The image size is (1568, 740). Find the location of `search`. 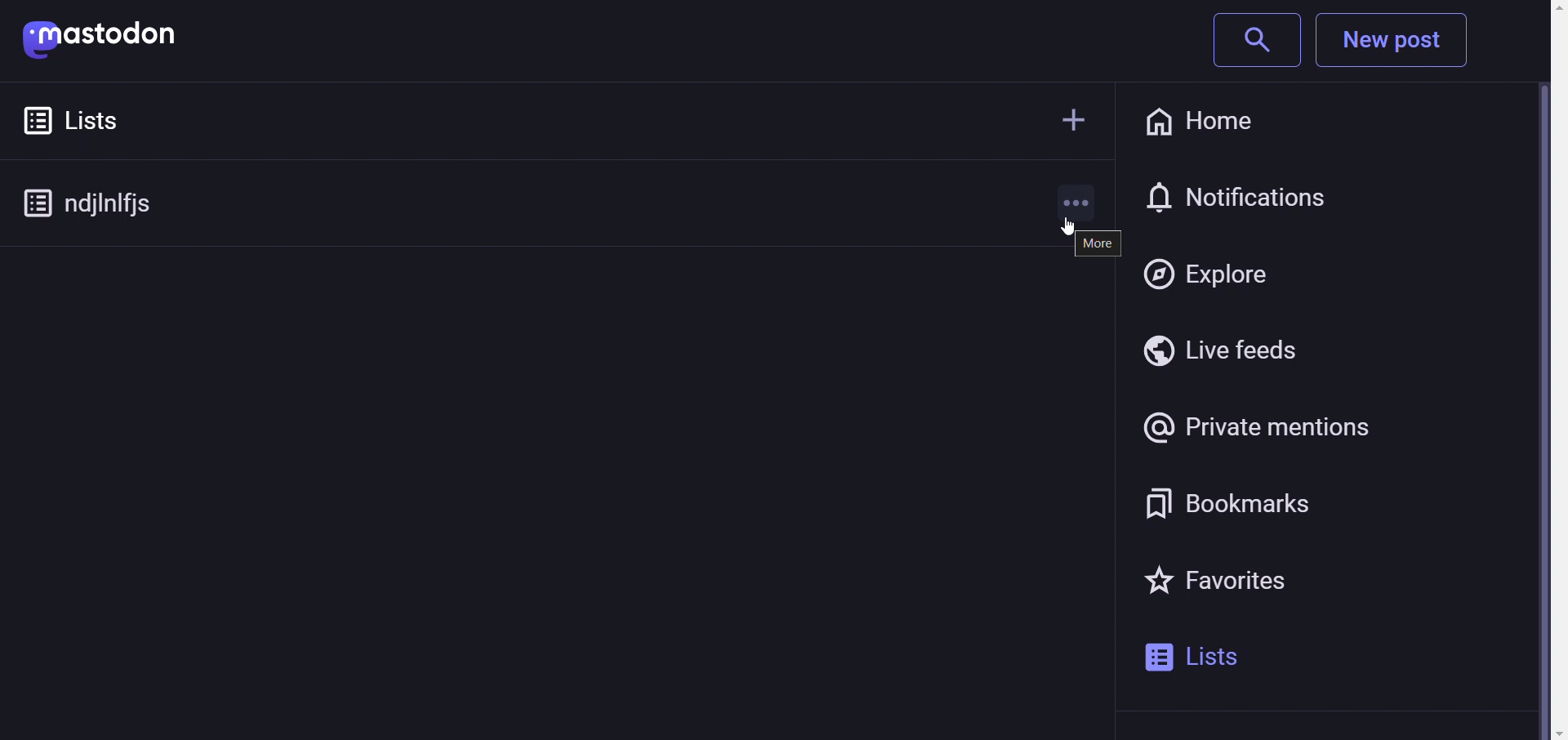

search is located at coordinates (1245, 40).